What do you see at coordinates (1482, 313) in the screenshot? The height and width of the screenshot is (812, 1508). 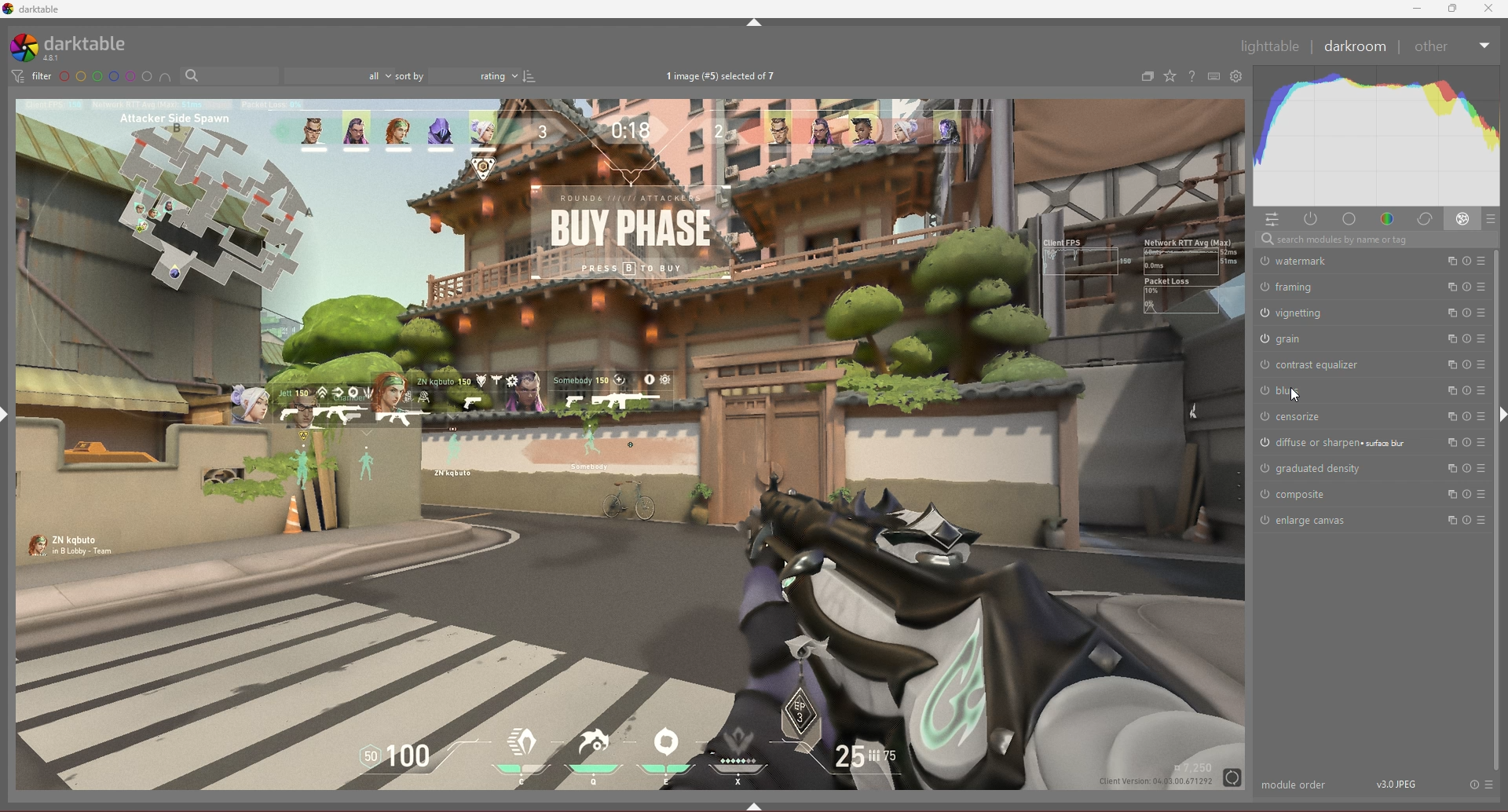 I see `presets` at bounding box center [1482, 313].